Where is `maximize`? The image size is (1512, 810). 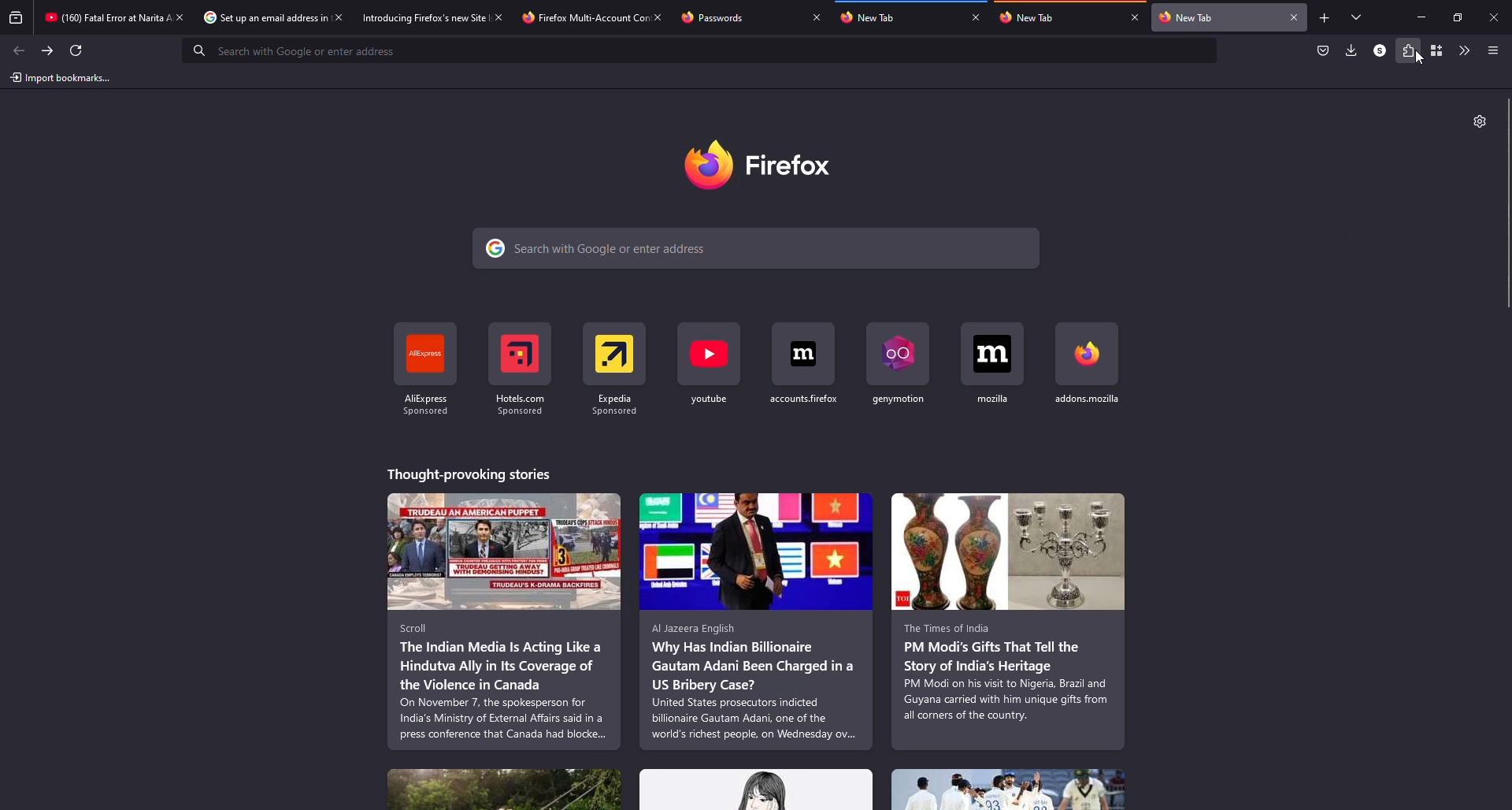
maximize is located at coordinates (1458, 18).